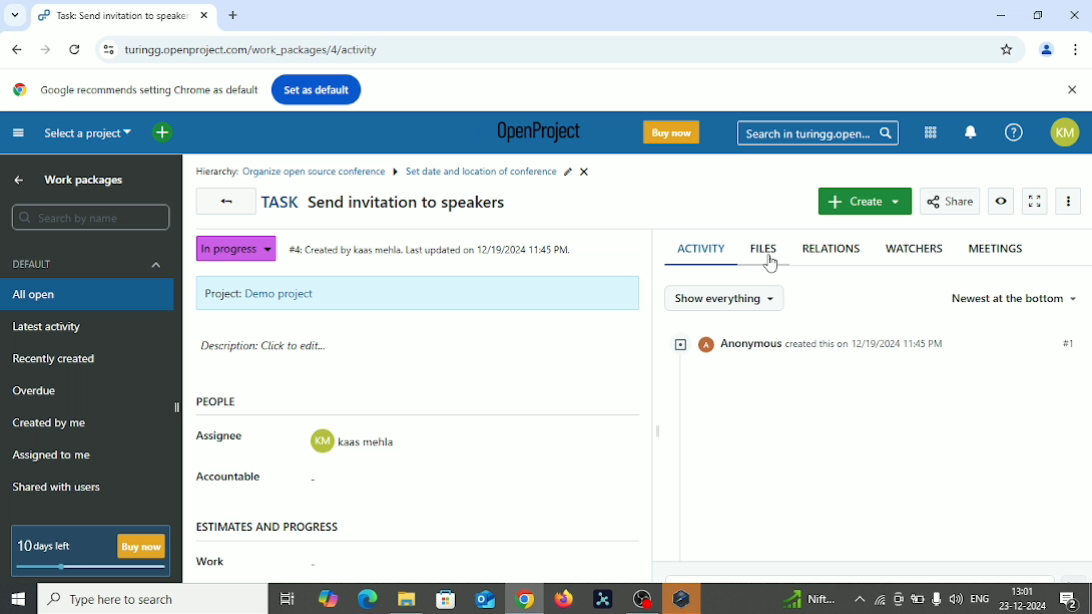 The width and height of the screenshot is (1092, 614). Describe the element at coordinates (1013, 298) in the screenshot. I see `Newest at the bottom` at that location.